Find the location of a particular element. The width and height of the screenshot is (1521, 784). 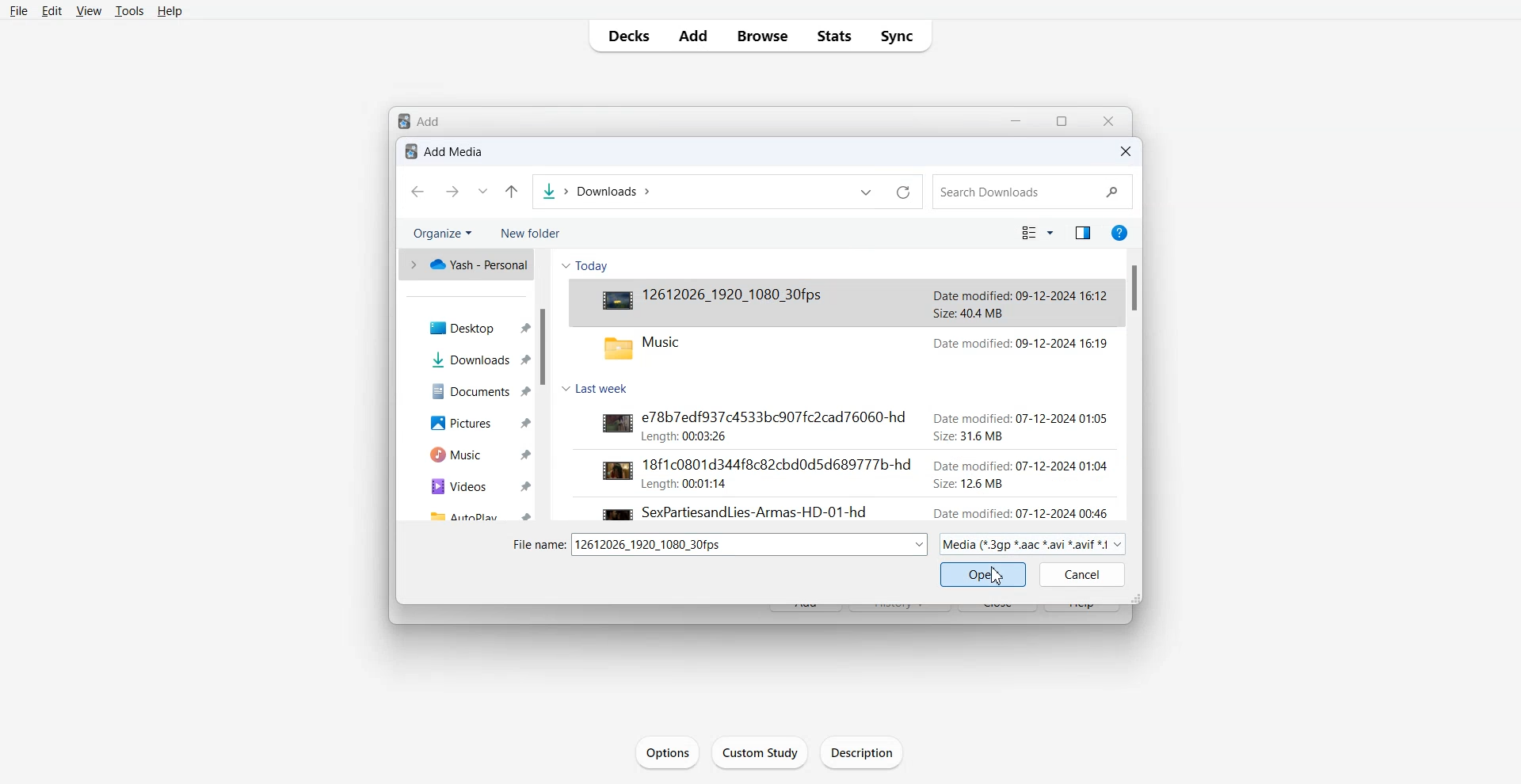

Show the preview pane is located at coordinates (1082, 233).